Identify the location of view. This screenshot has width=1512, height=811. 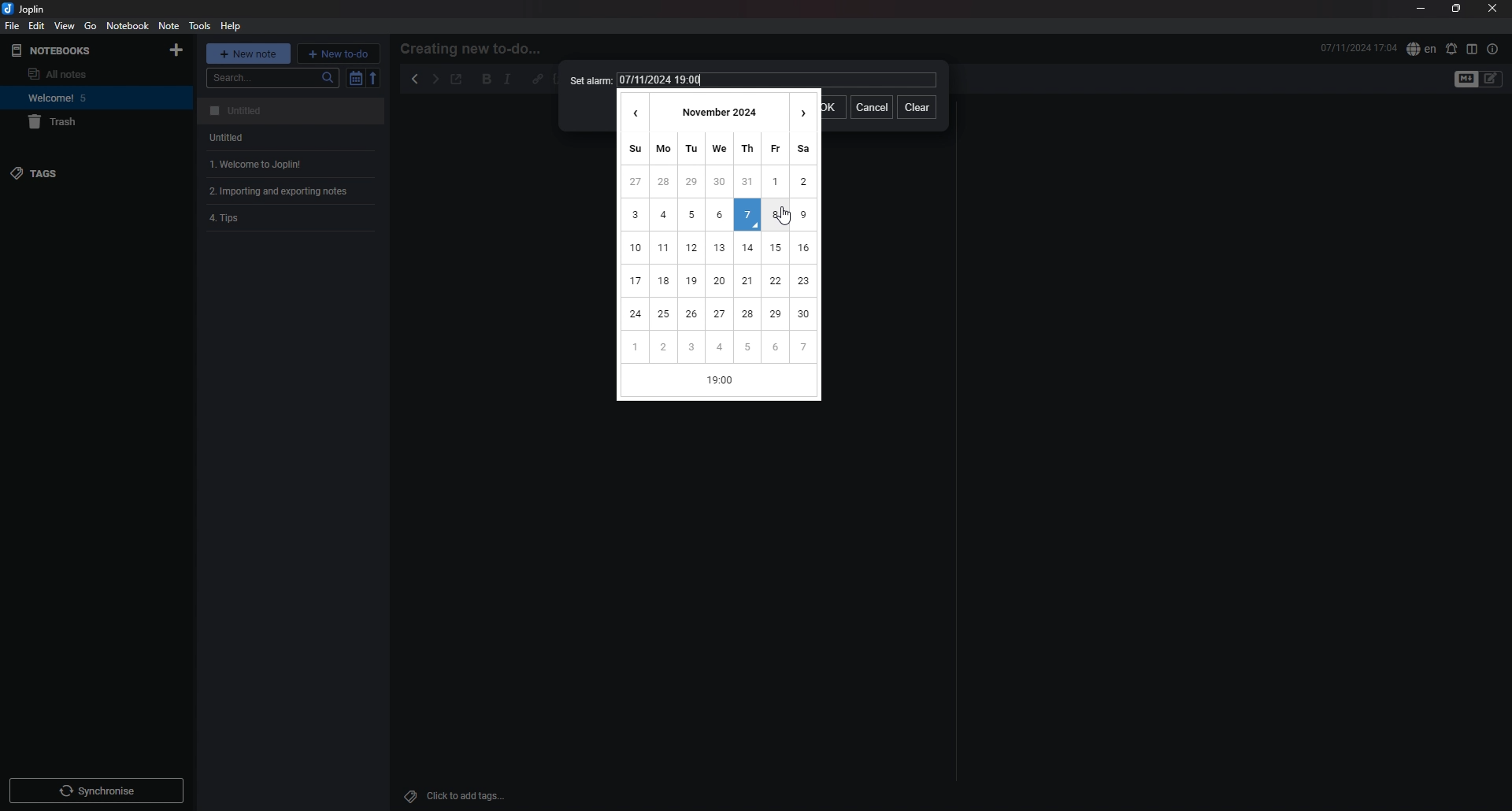
(65, 26).